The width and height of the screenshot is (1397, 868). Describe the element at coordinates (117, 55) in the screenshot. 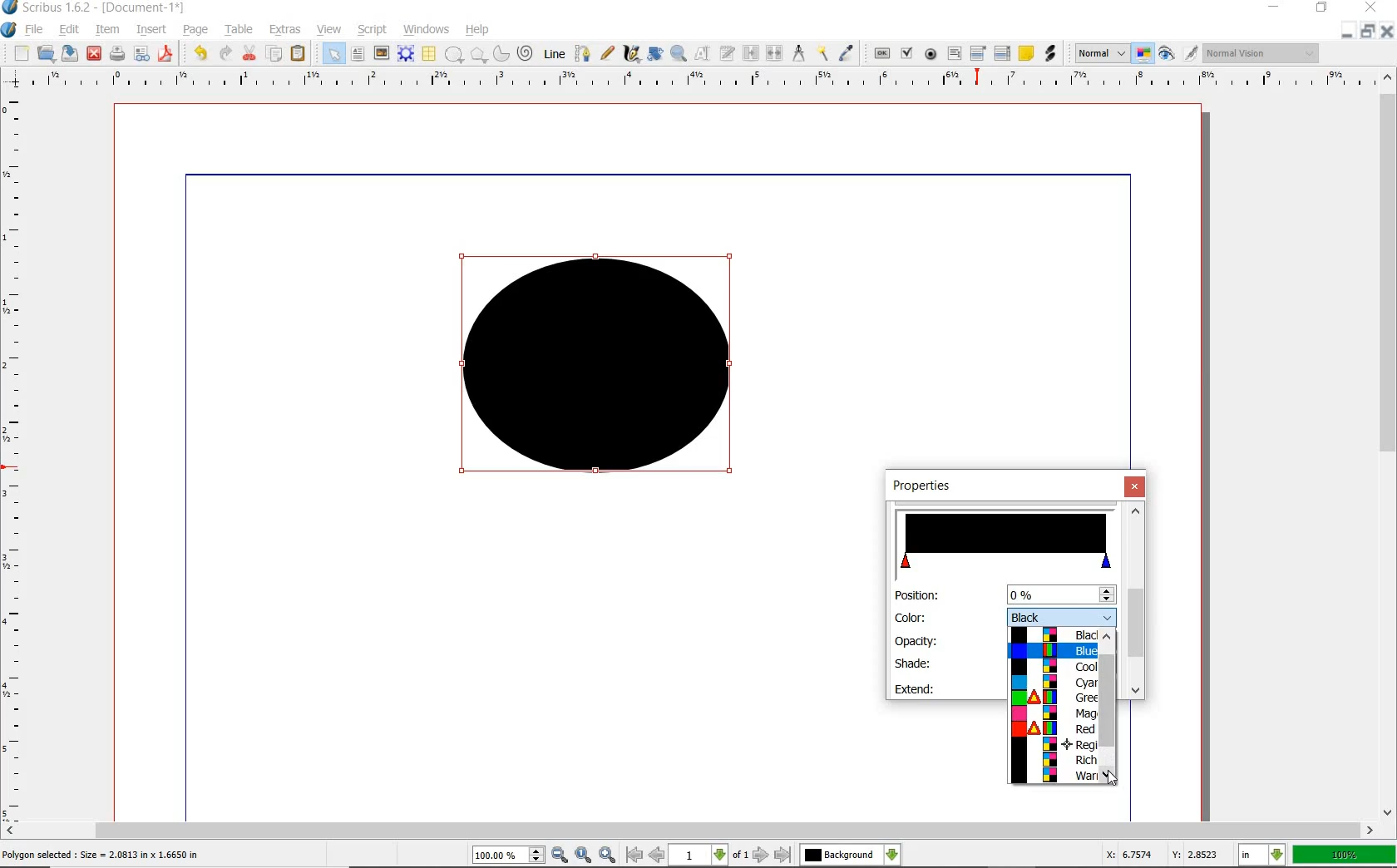

I see `PRINT` at that location.